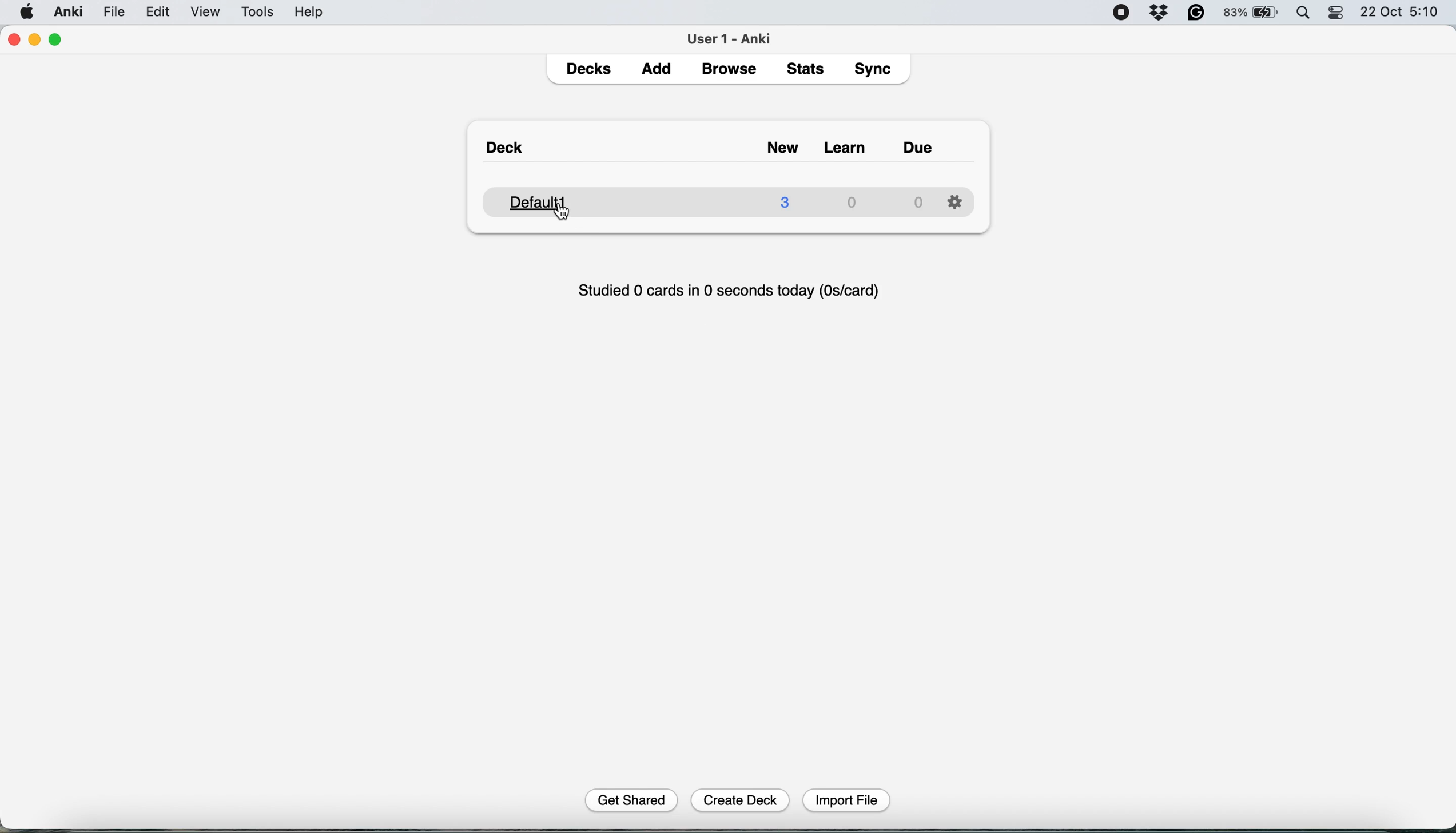 The height and width of the screenshot is (833, 1456). I want to click on 22 Oct 5:10, so click(1401, 13).